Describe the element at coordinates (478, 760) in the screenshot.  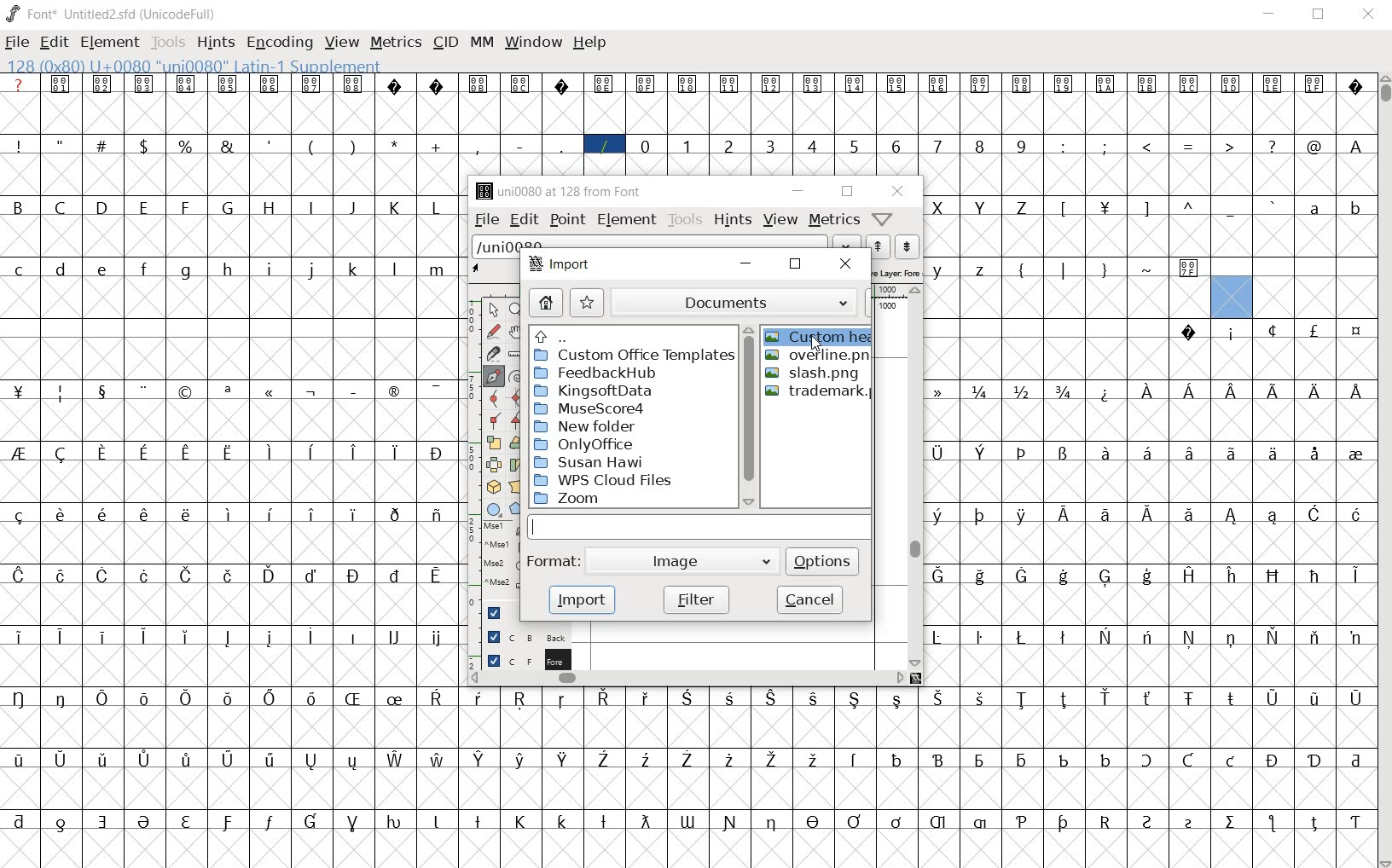
I see `glyph` at that location.